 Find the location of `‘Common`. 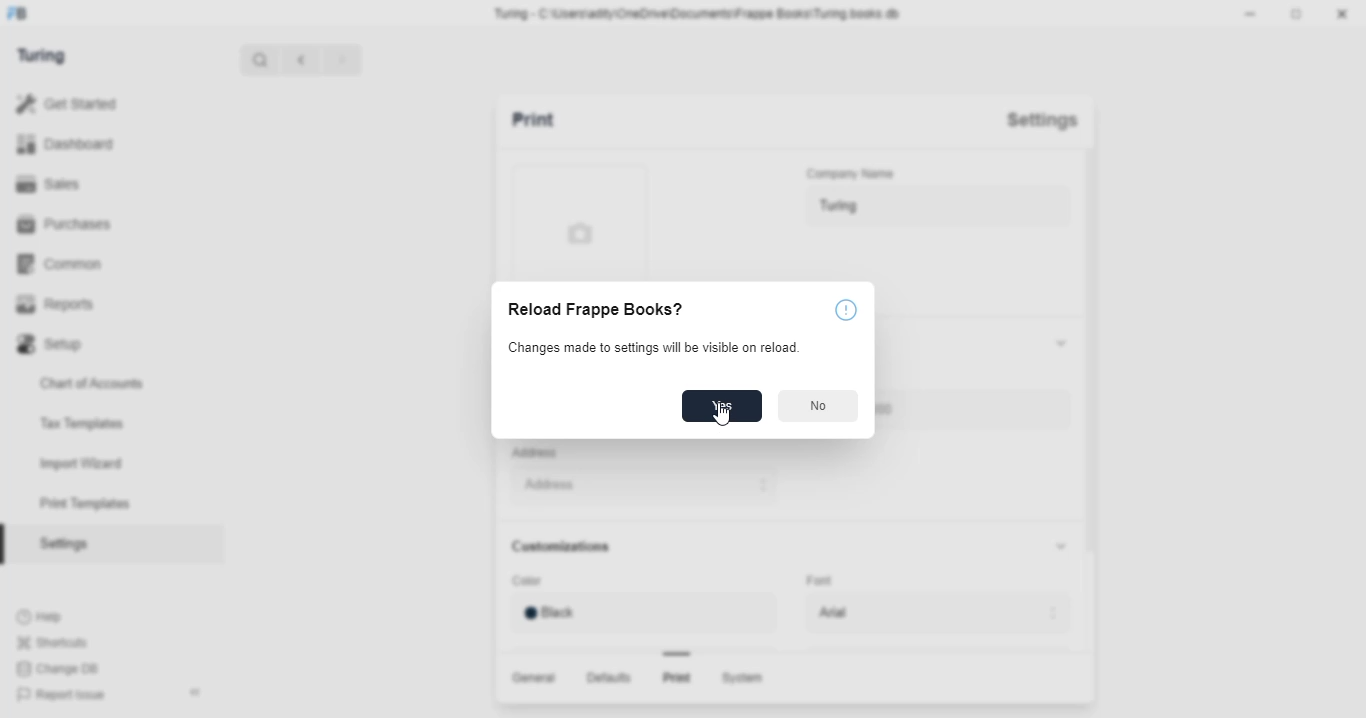

‘Common is located at coordinates (65, 263).